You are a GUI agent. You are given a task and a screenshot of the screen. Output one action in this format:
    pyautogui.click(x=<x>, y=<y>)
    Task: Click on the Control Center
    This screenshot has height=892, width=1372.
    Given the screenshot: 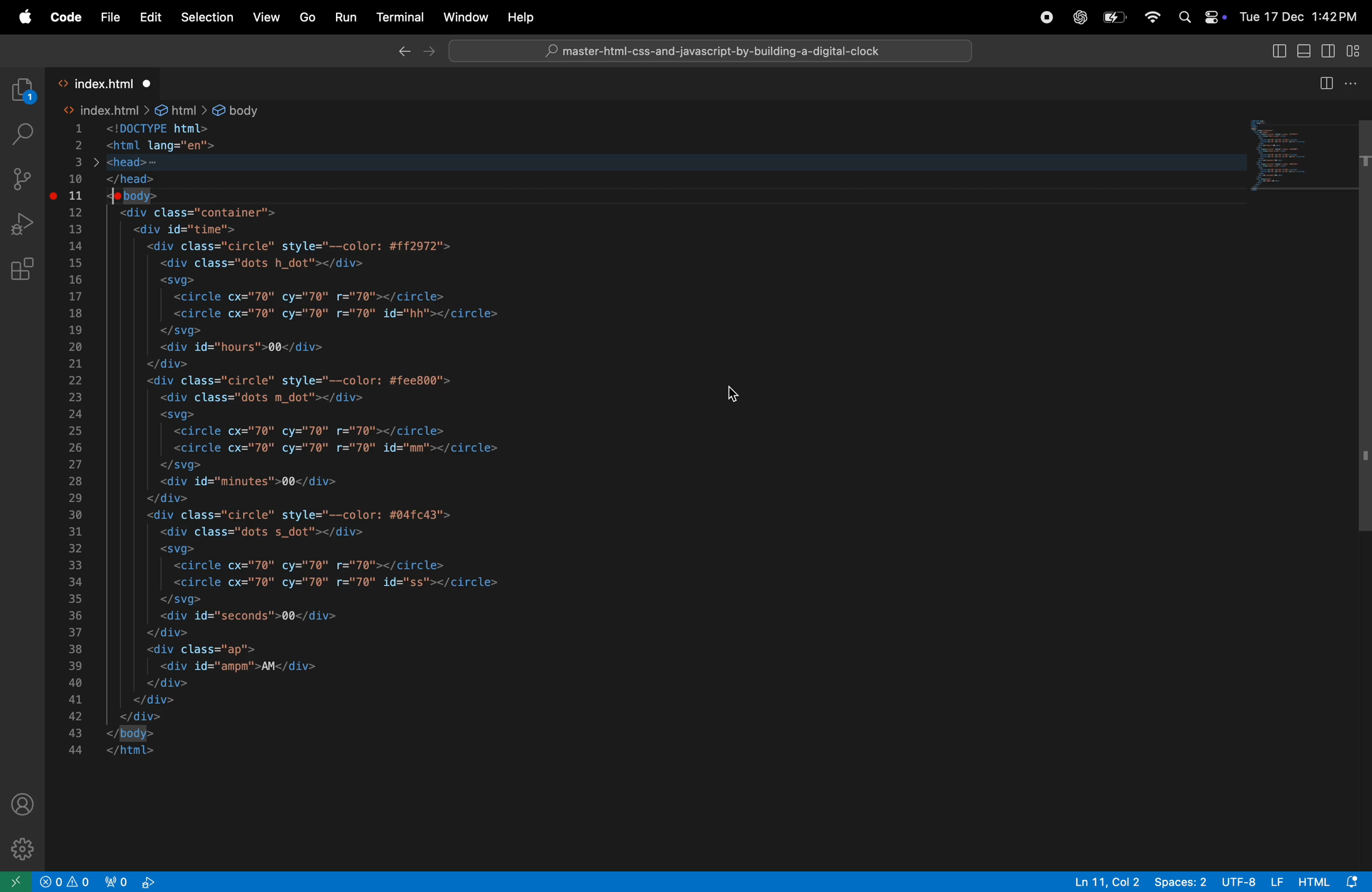 What is the action you would take?
    pyautogui.click(x=1216, y=16)
    